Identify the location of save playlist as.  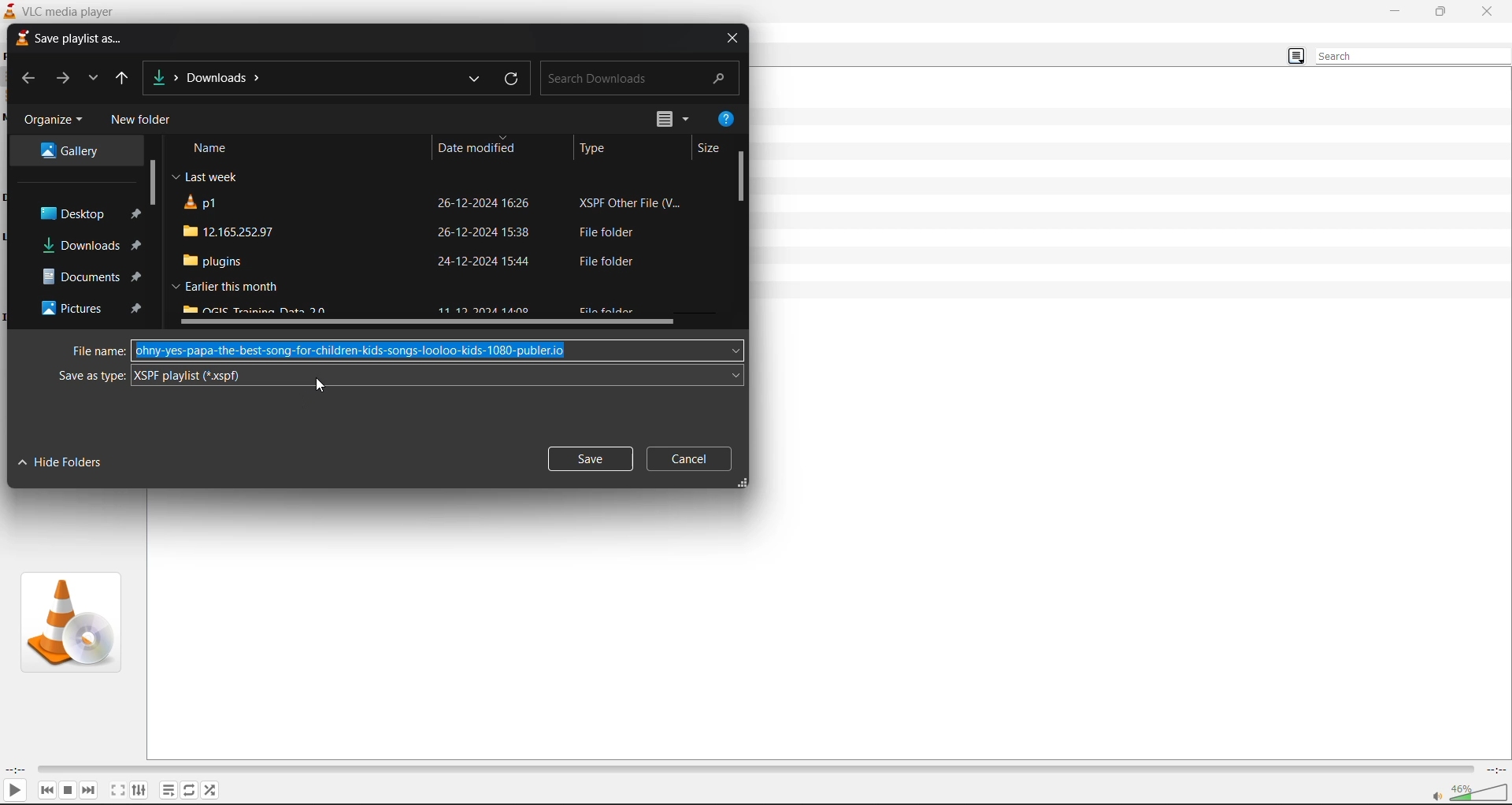
(67, 39).